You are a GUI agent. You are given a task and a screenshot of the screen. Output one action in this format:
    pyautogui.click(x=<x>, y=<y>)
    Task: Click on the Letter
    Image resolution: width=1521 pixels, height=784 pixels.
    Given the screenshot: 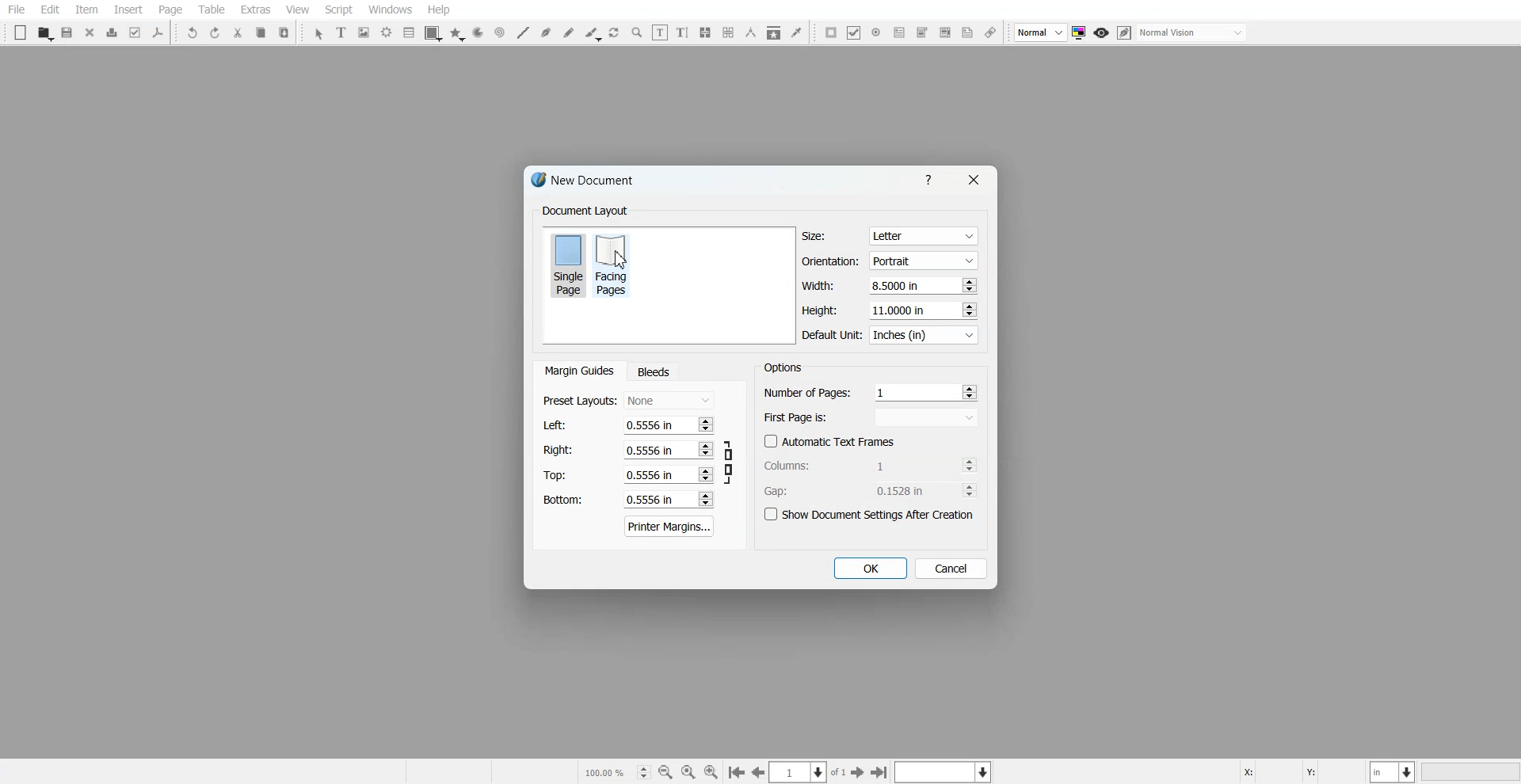 What is the action you would take?
    pyautogui.click(x=922, y=237)
    